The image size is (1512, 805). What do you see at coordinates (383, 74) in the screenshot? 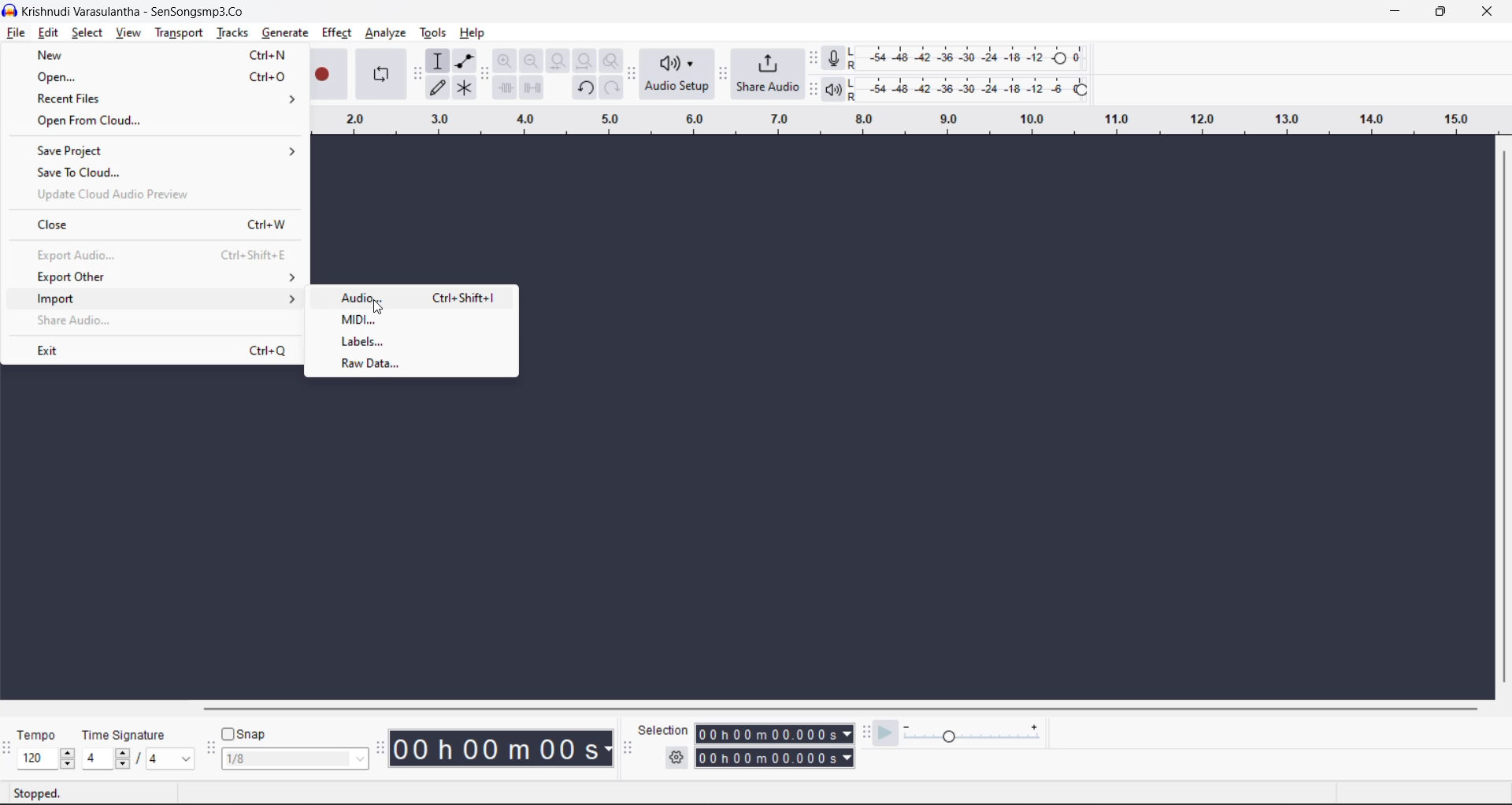
I see `enable looping` at bounding box center [383, 74].